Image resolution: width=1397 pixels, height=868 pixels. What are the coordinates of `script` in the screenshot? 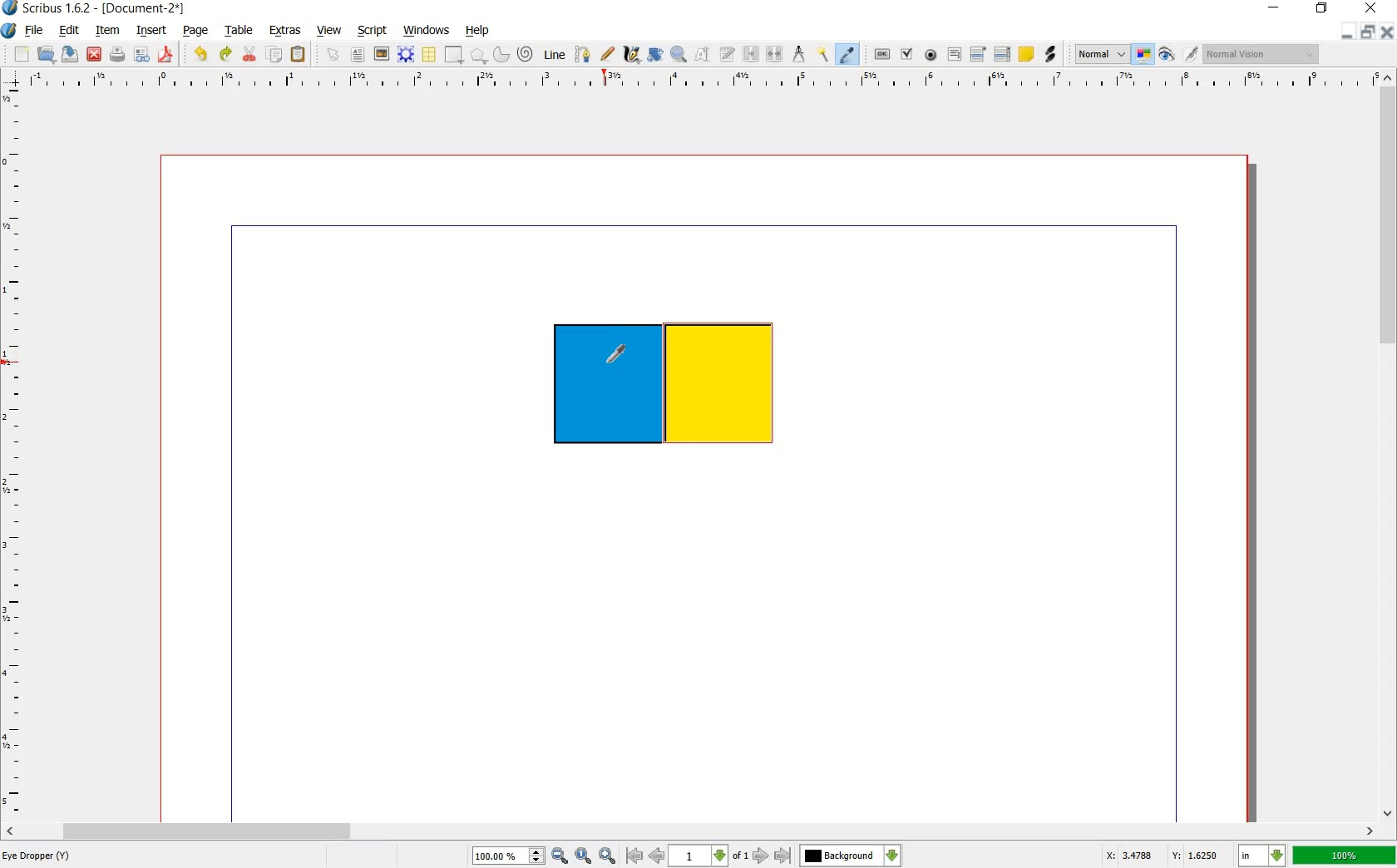 It's located at (373, 31).